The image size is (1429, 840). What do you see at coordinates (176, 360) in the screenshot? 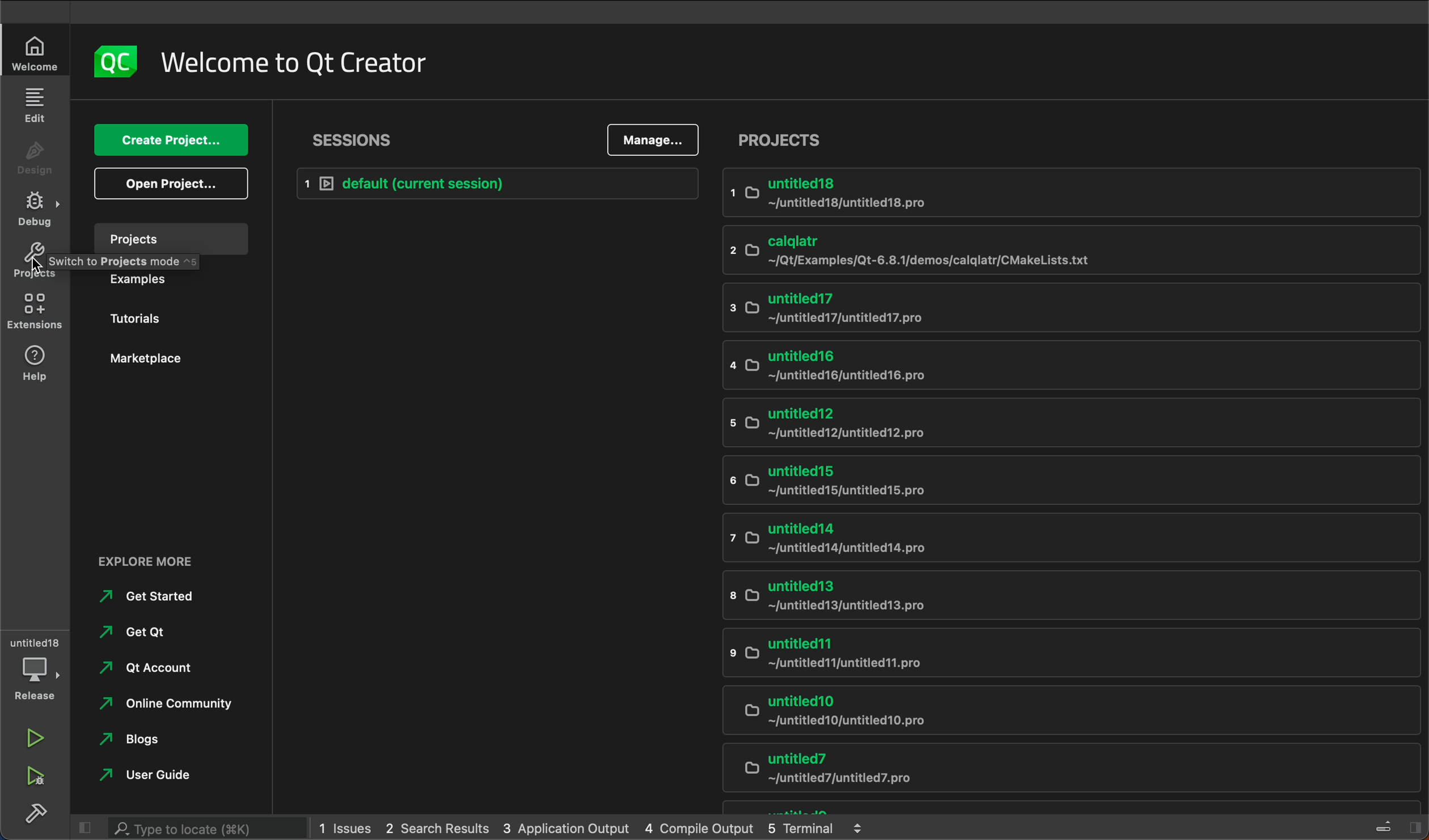
I see `marketplace` at bounding box center [176, 360].